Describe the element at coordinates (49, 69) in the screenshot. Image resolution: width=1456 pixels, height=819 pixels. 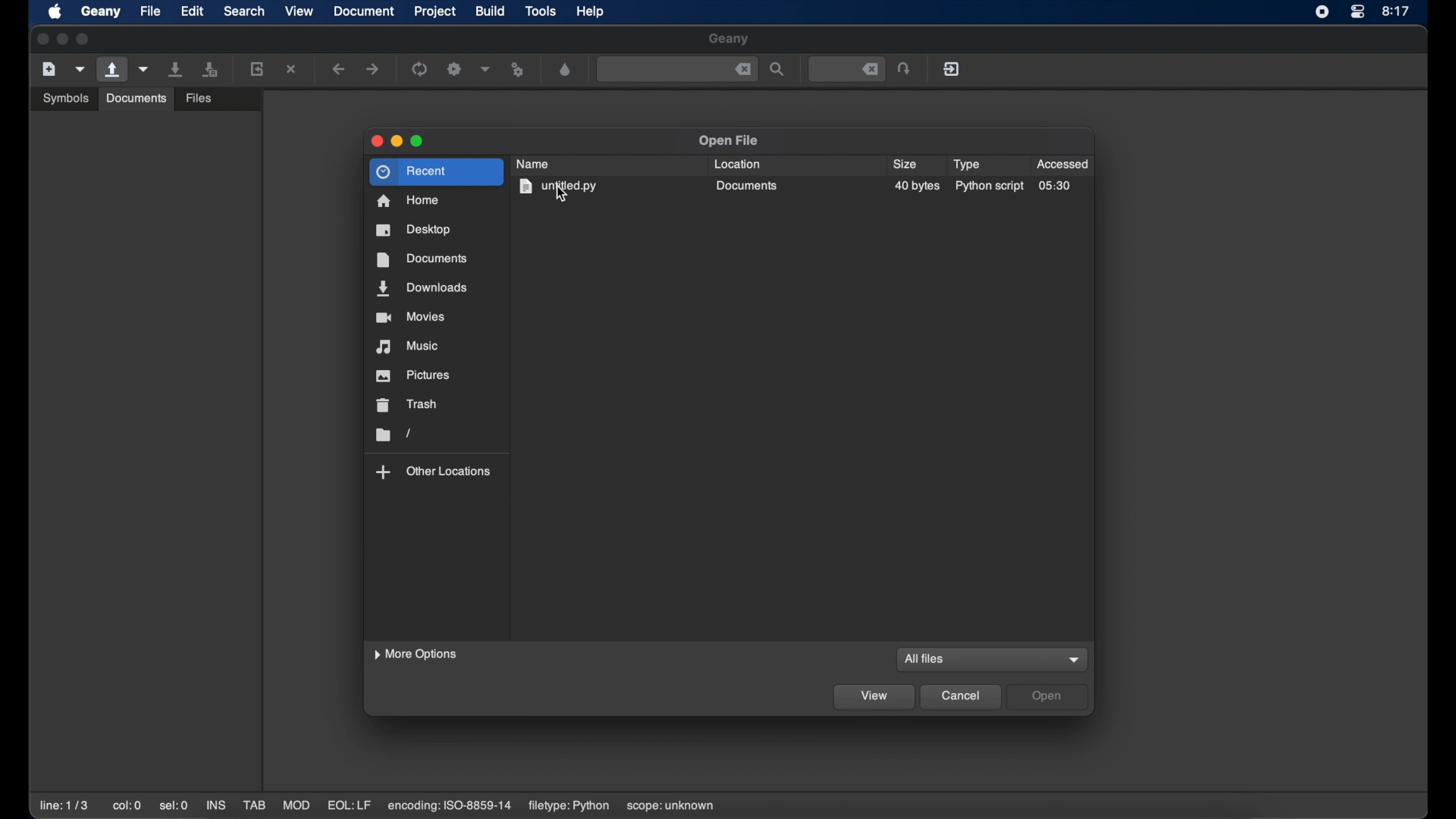
I see `create a new file` at that location.